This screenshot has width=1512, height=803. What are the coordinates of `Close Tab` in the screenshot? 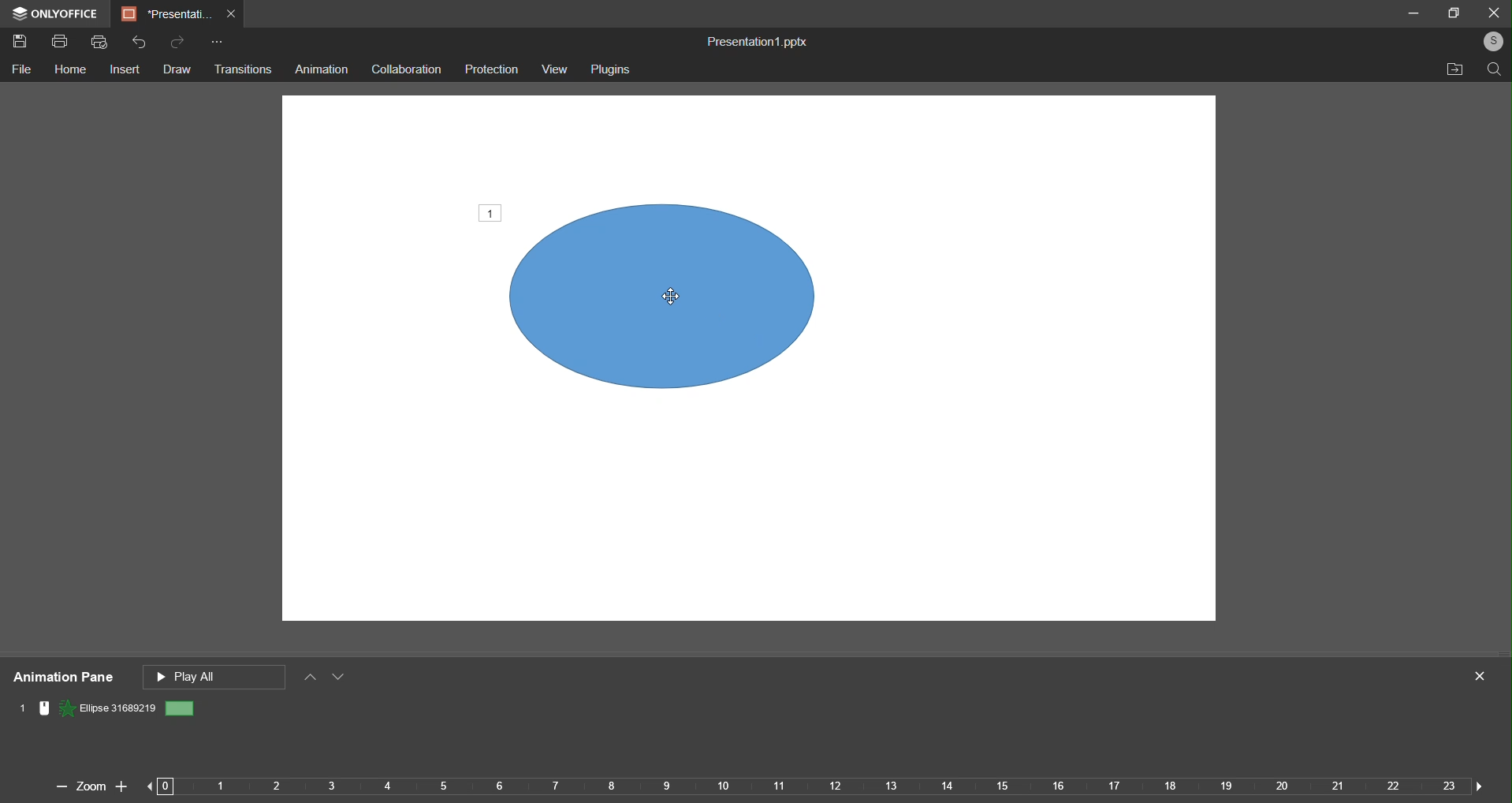 It's located at (234, 15).